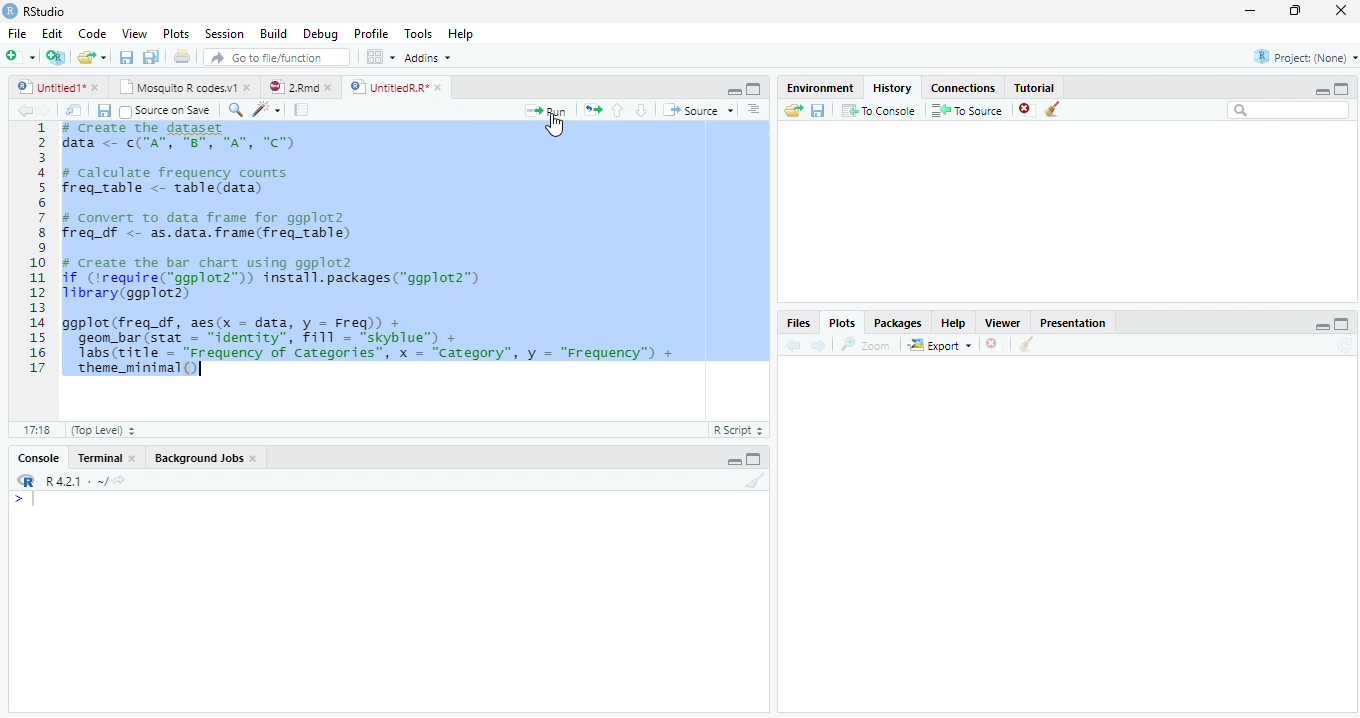 Image resolution: width=1360 pixels, height=718 pixels. Describe the element at coordinates (182, 58) in the screenshot. I see `Print` at that location.